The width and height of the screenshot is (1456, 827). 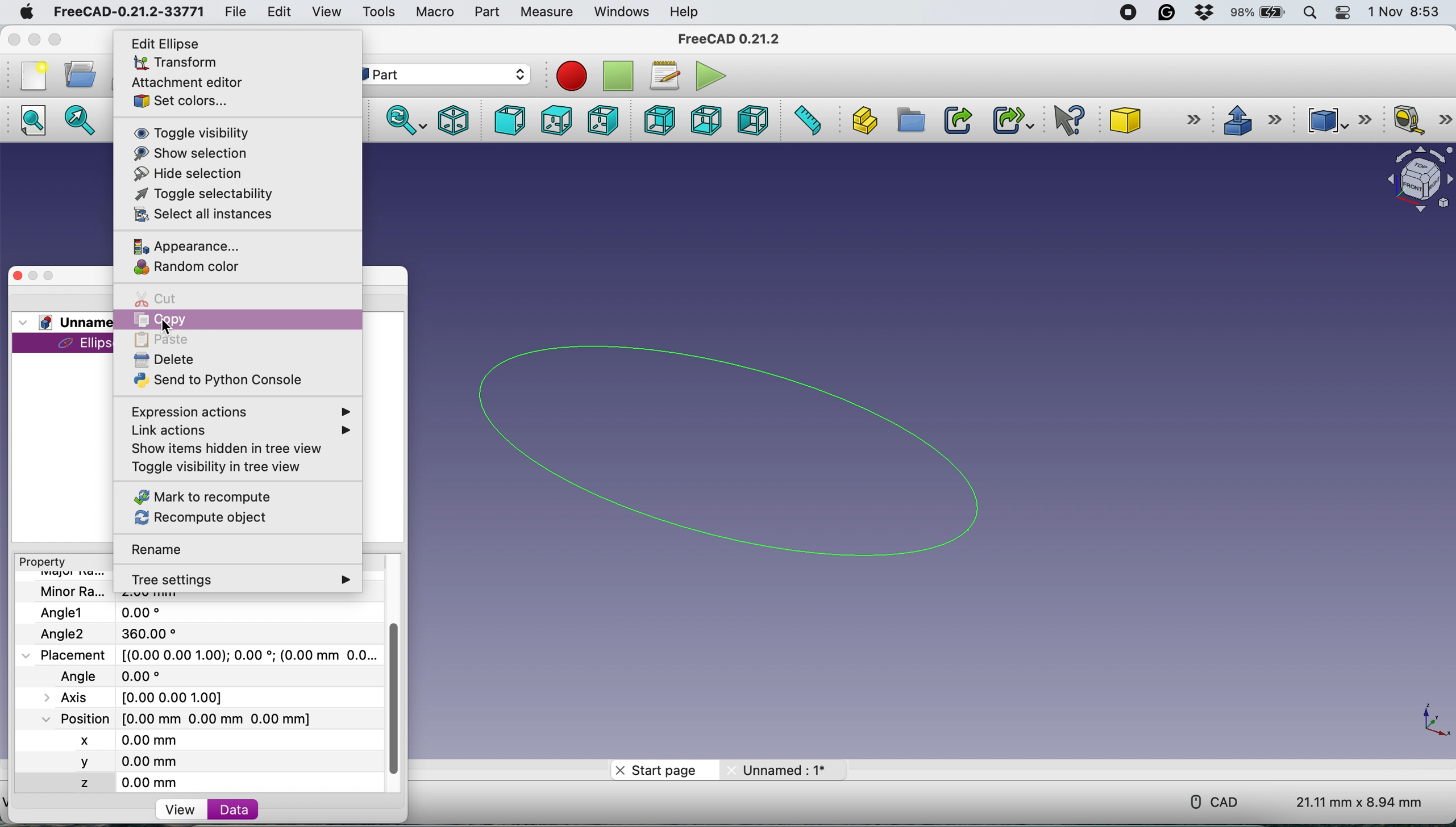 I want to click on fit all, so click(x=33, y=120).